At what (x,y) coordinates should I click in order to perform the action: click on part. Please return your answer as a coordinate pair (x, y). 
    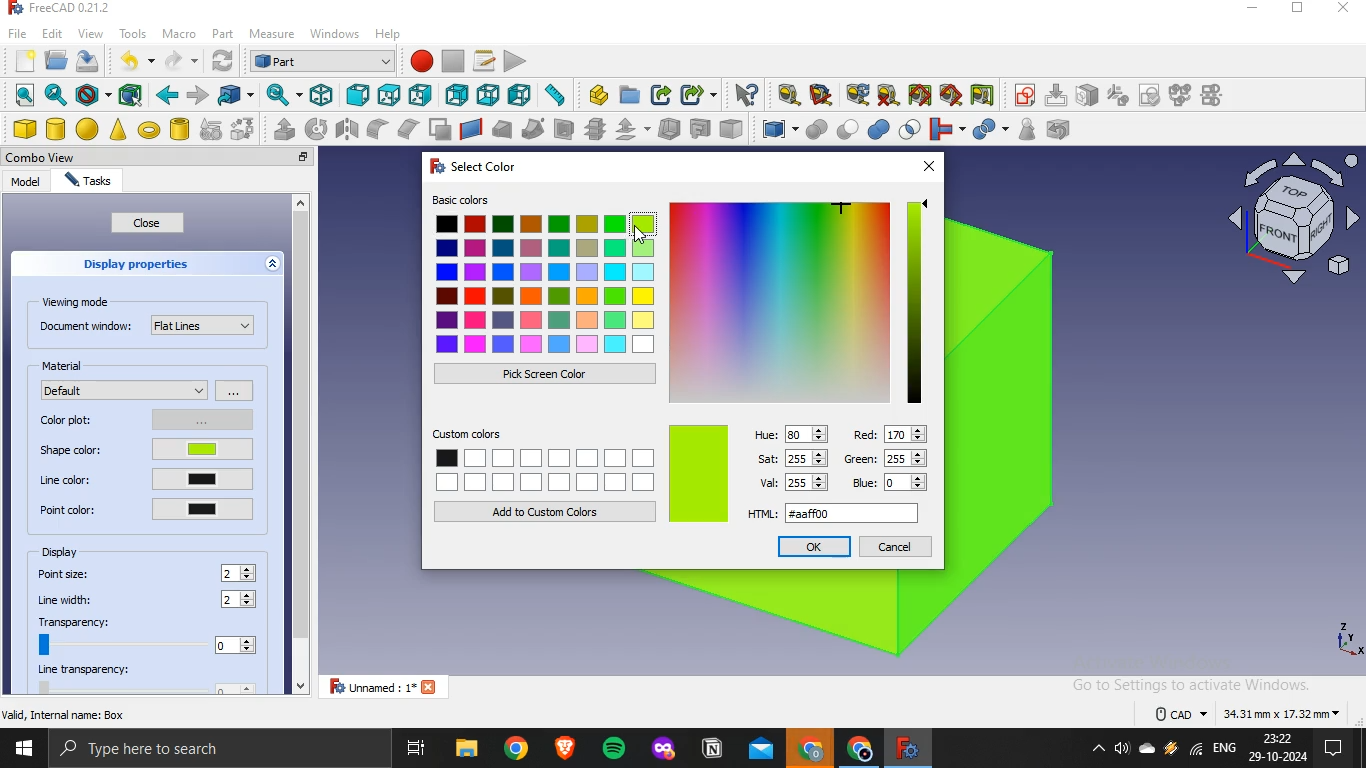
    Looking at the image, I should click on (221, 32).